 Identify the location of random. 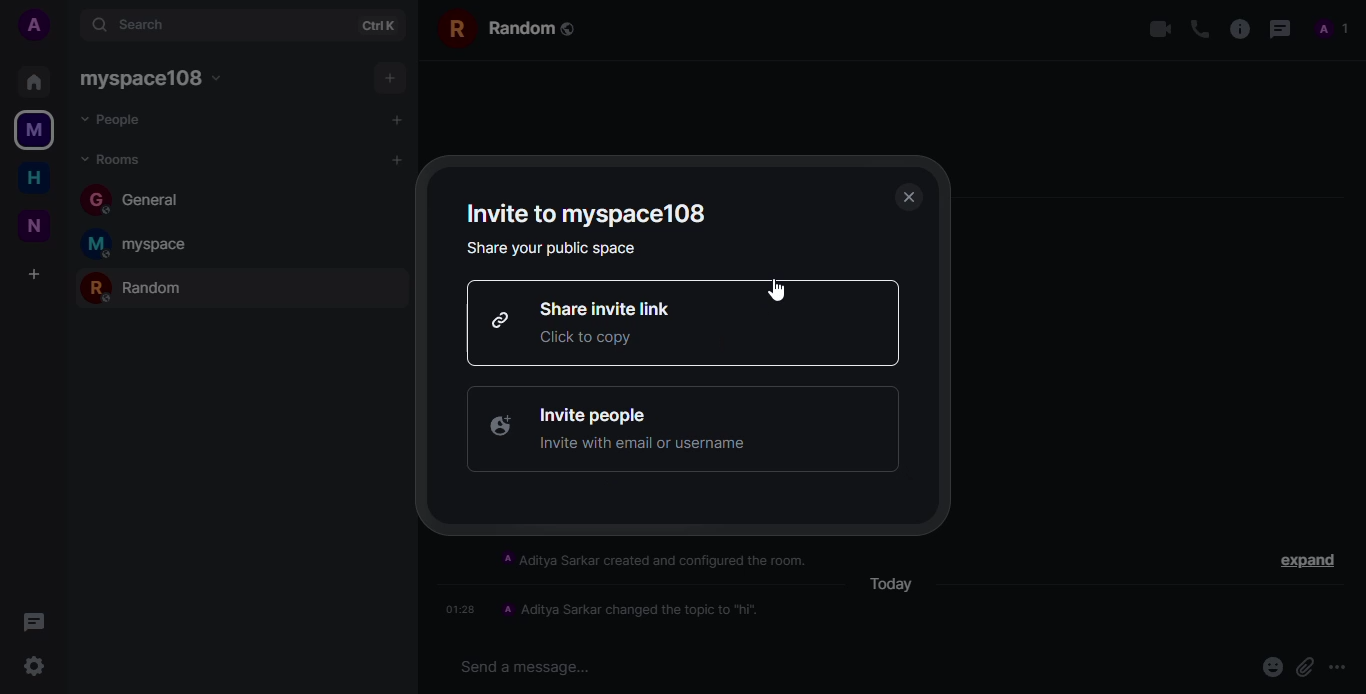
(140, 287).